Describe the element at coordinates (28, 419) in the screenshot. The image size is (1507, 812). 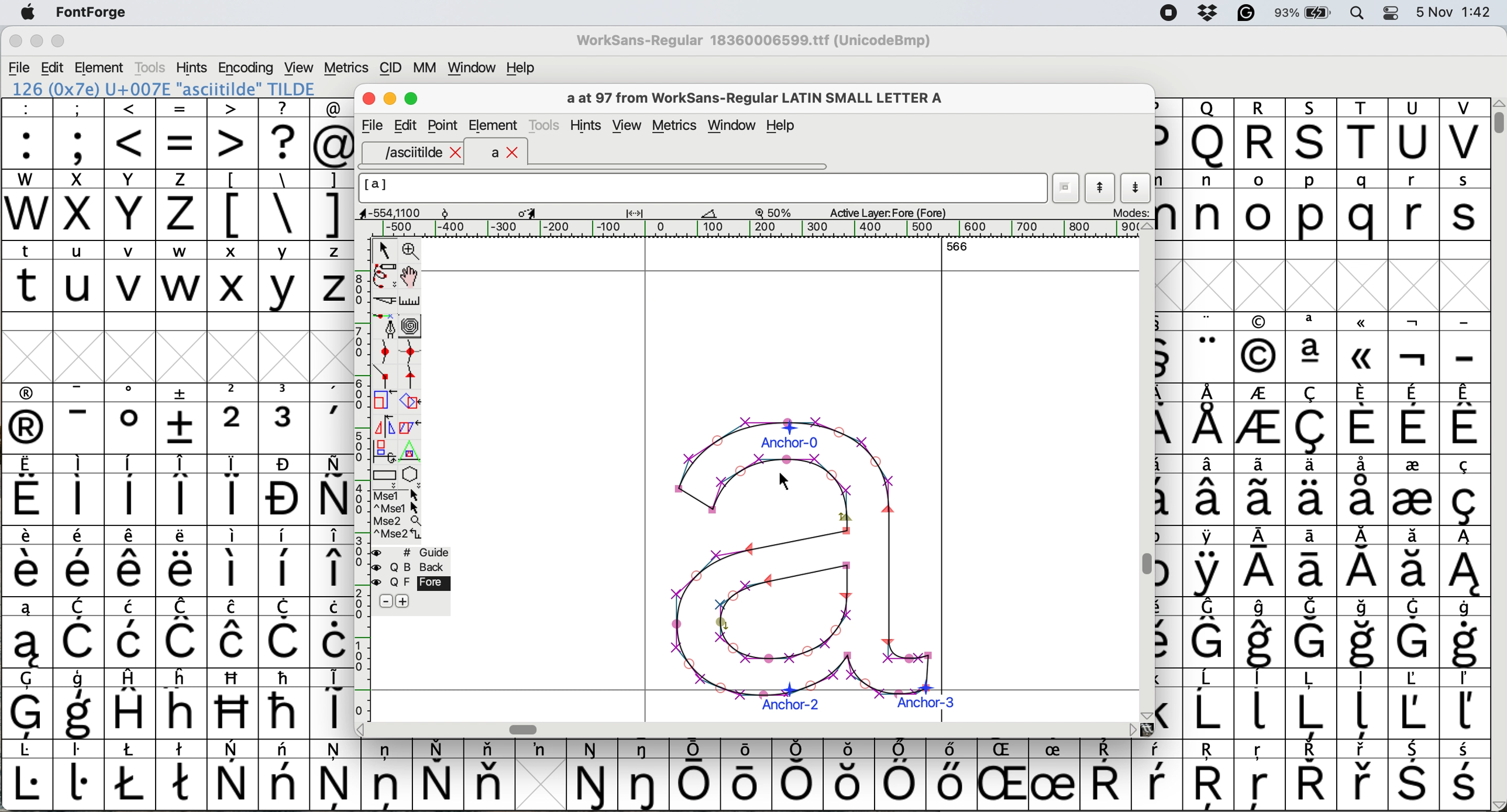
I see `symbol` at that location.